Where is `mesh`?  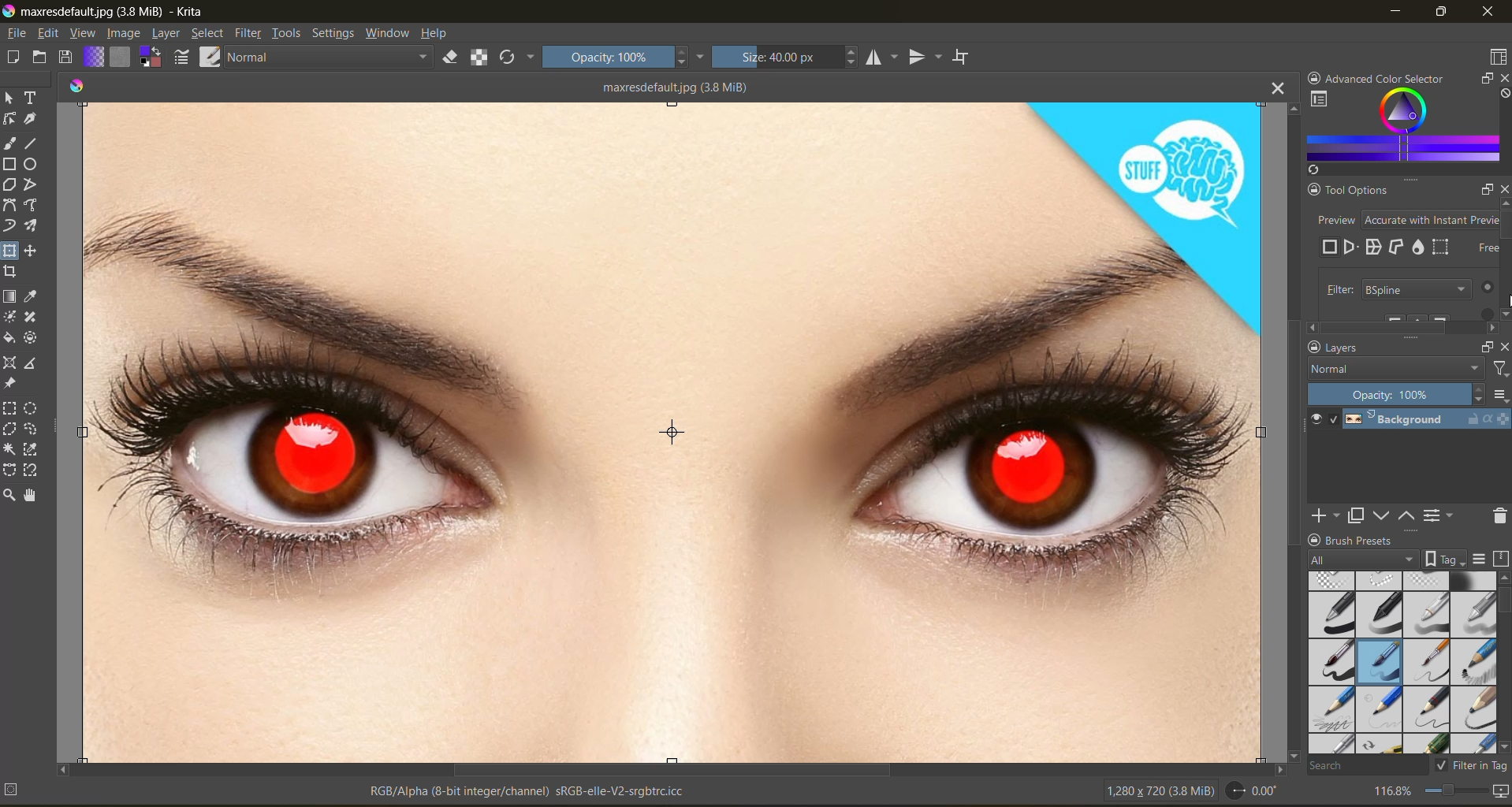
mesh is located at coordinates (1439, 247).